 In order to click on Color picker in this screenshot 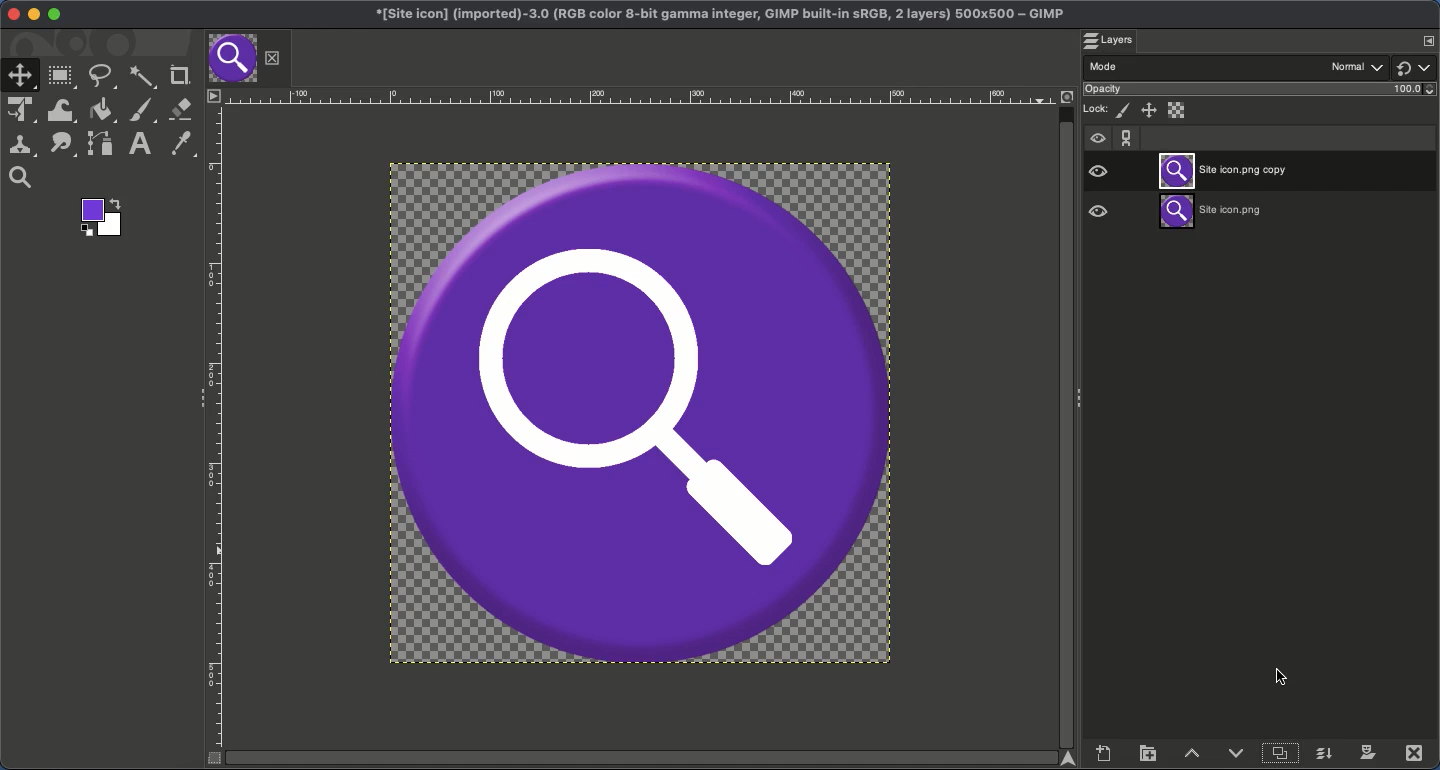, I will do `click(183, 144)`.